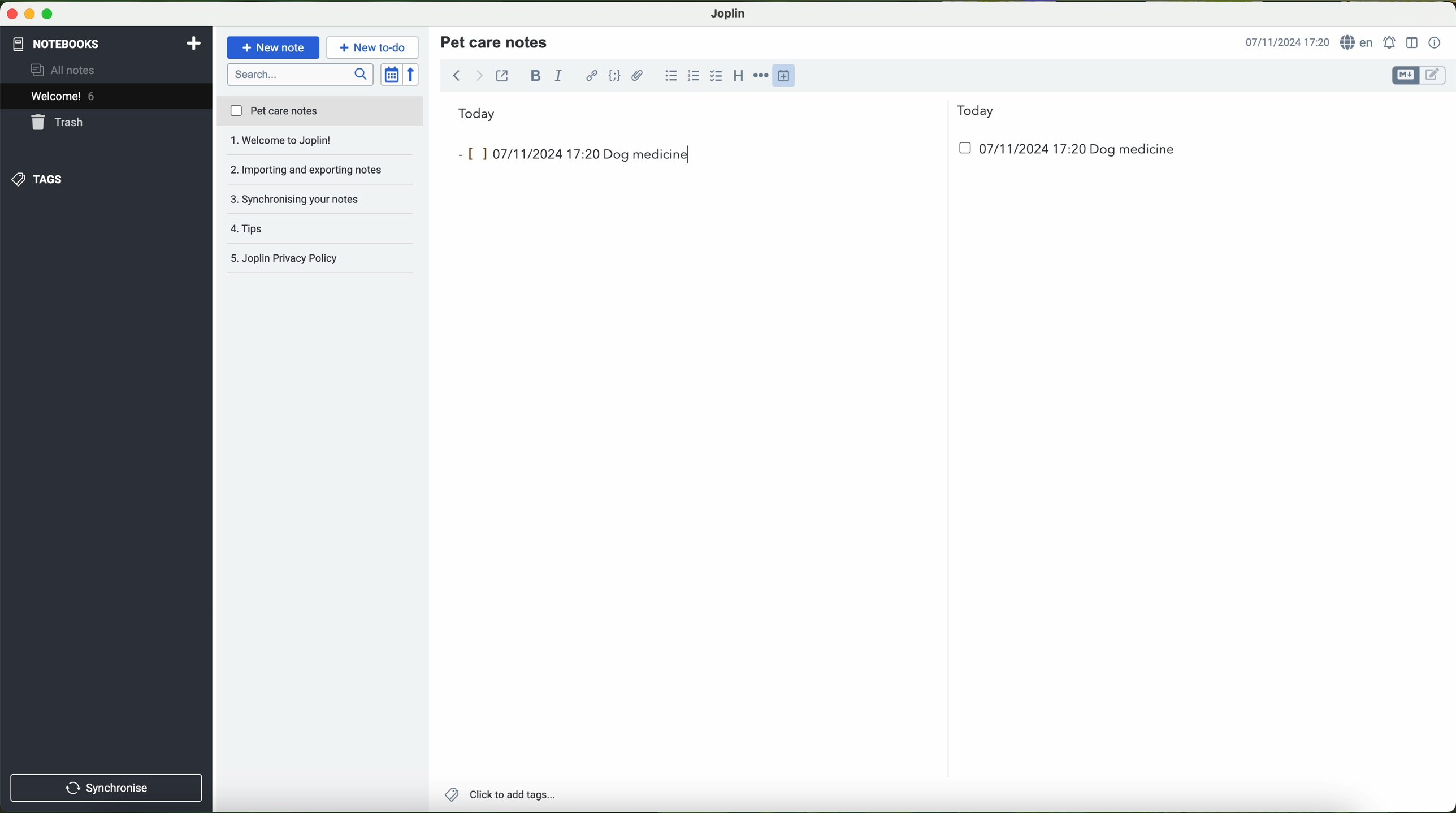 The image size is (1456, 813). What do you see at coordinates (1133, 150) in the screenshot?
I see `dog medicine` at bounding box center [1133, 150].